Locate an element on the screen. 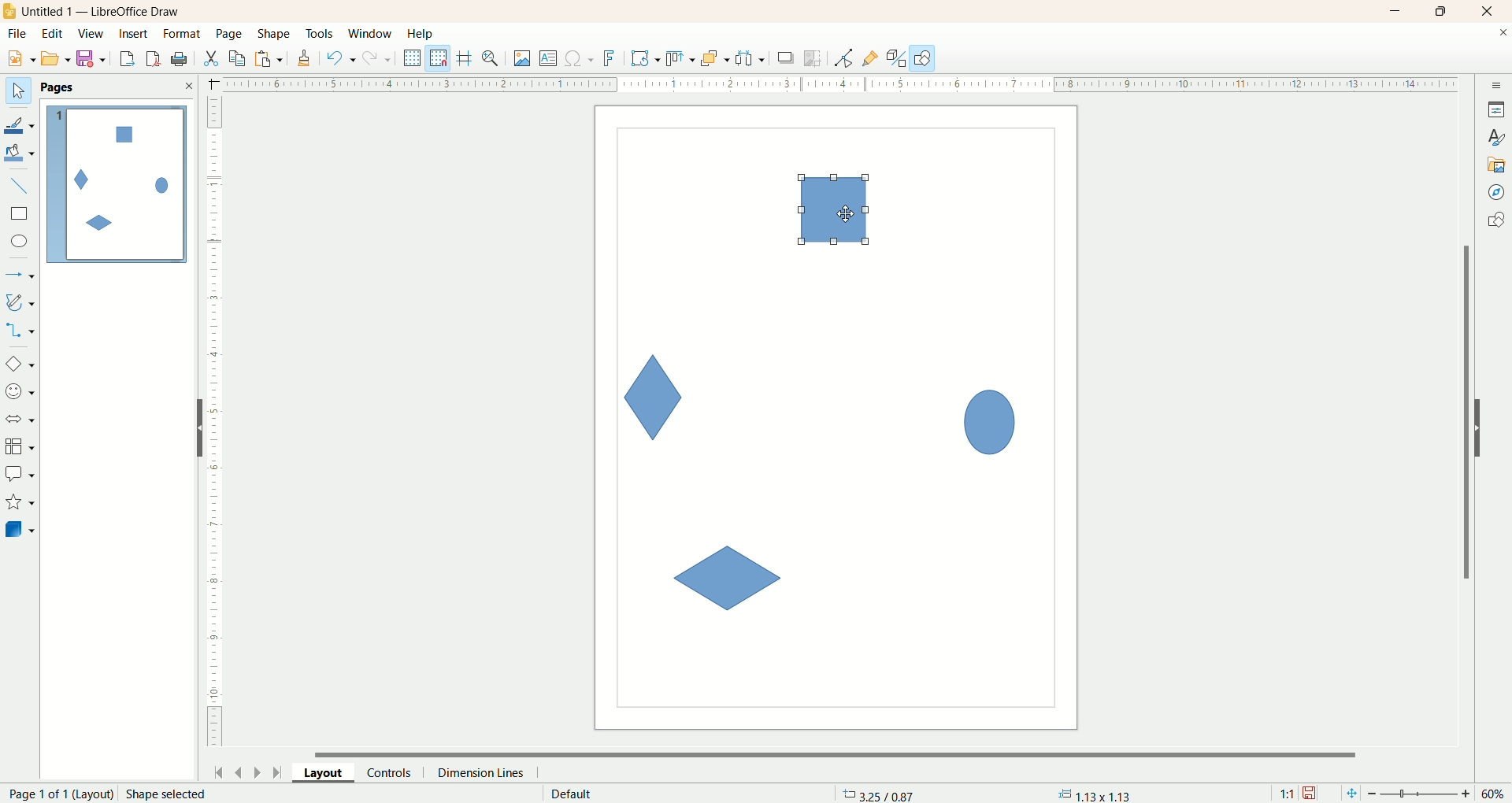 The image size is (1512, 803). page is located at coordinates (231, 33).